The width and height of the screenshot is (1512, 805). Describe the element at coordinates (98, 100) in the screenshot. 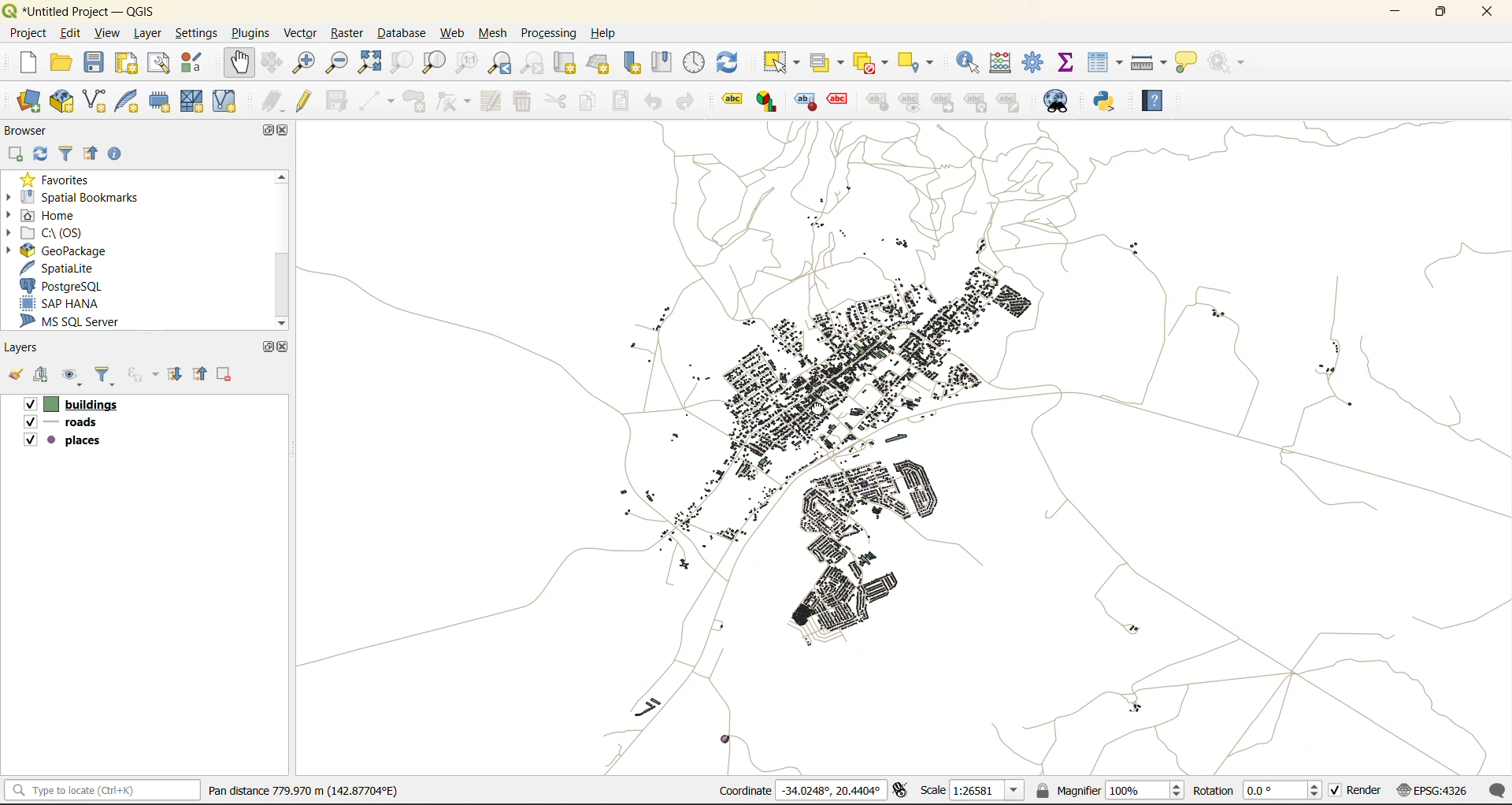

I see `new shapefile` at that location.